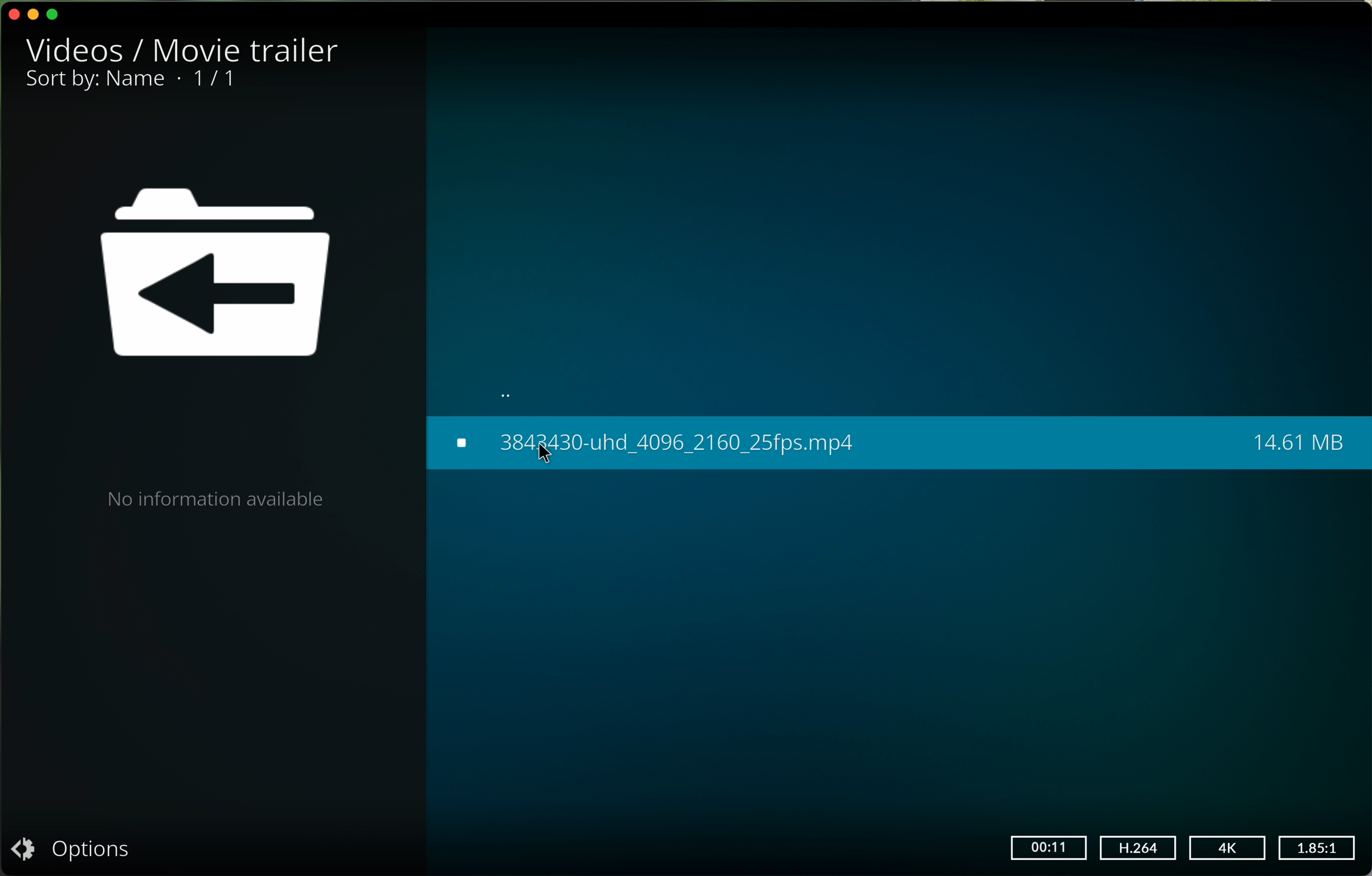 The image size is (1372, 876). I want to click on 4K, so click(1227, 848).